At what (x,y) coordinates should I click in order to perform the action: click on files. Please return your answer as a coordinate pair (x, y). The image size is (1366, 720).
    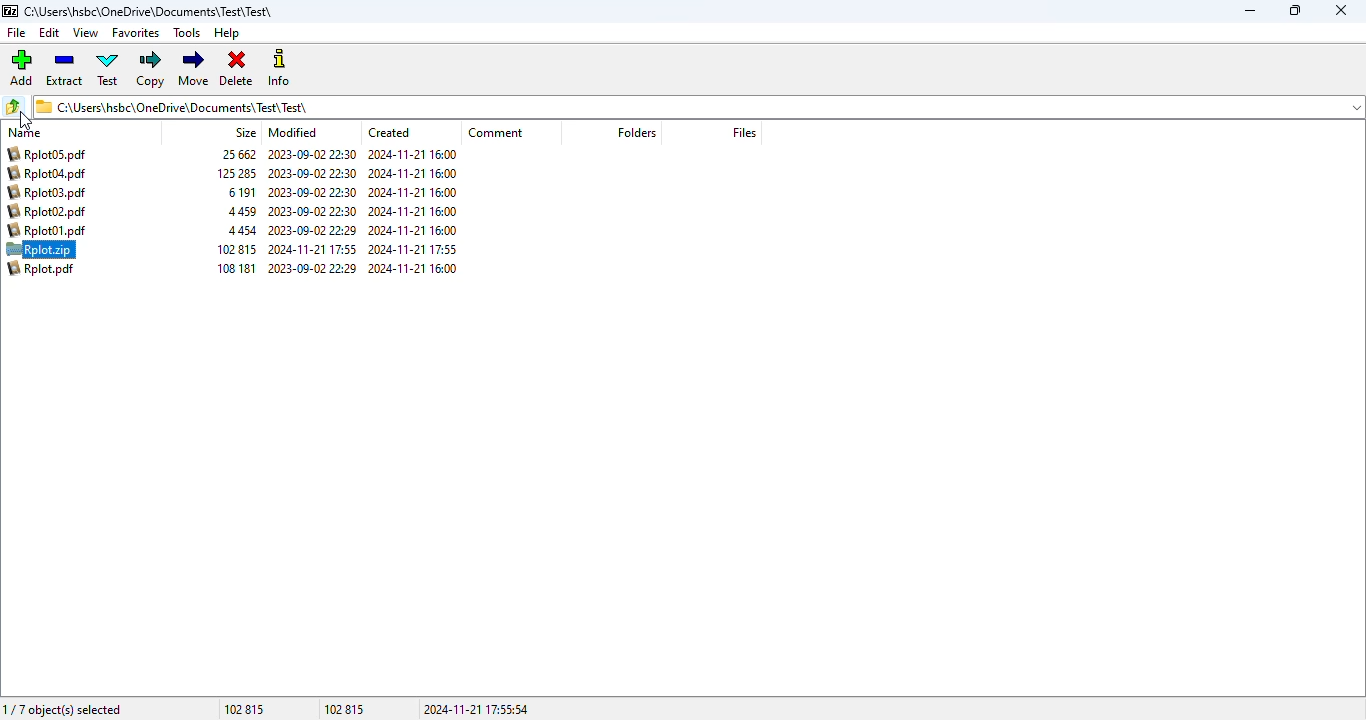
    Looking at the image, I should click on (744, 132).